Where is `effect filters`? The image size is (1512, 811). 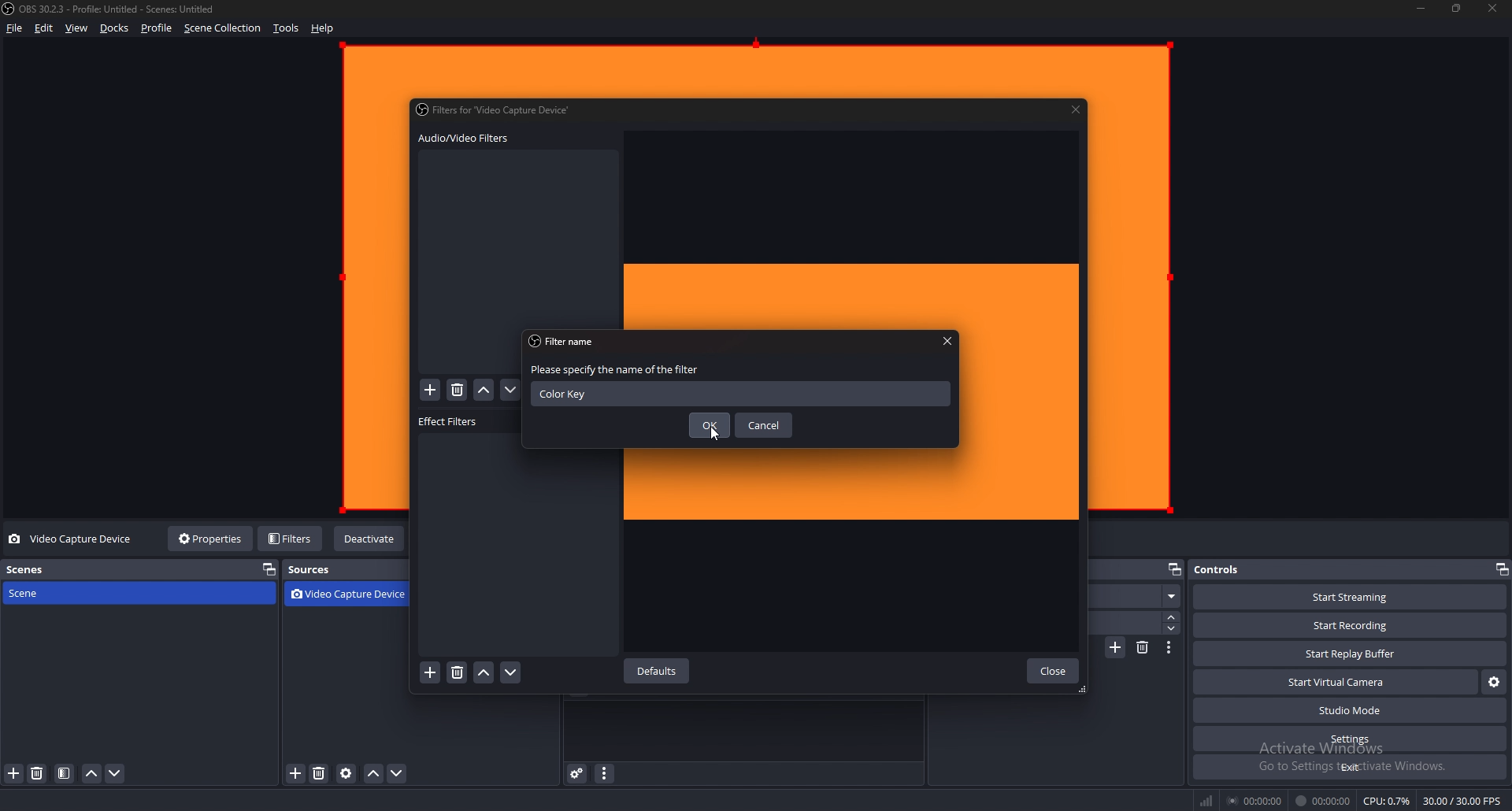
effect filters is located at coordinates (450, 422).